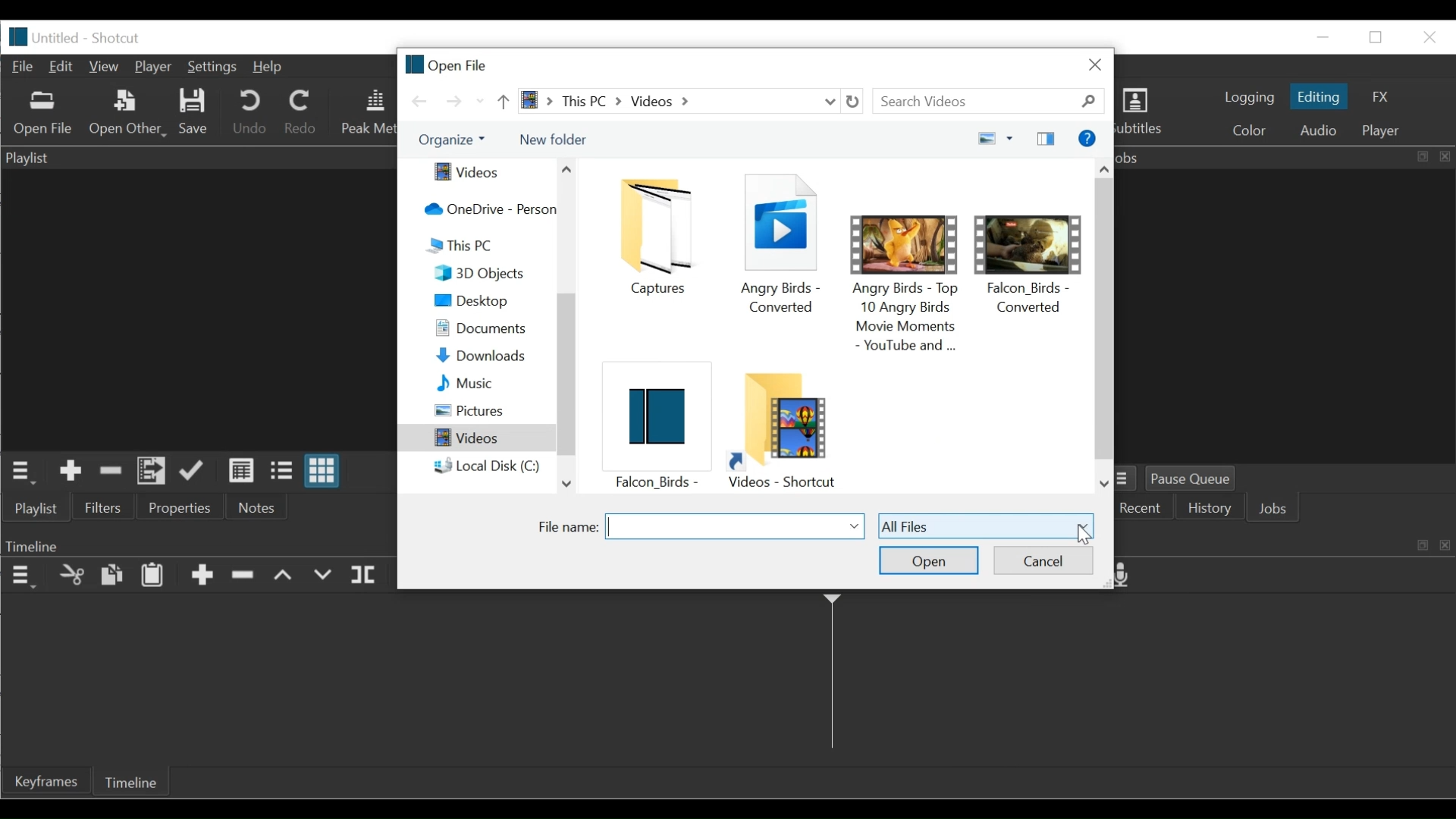  I want to click on New Folder, so click(553, 140).